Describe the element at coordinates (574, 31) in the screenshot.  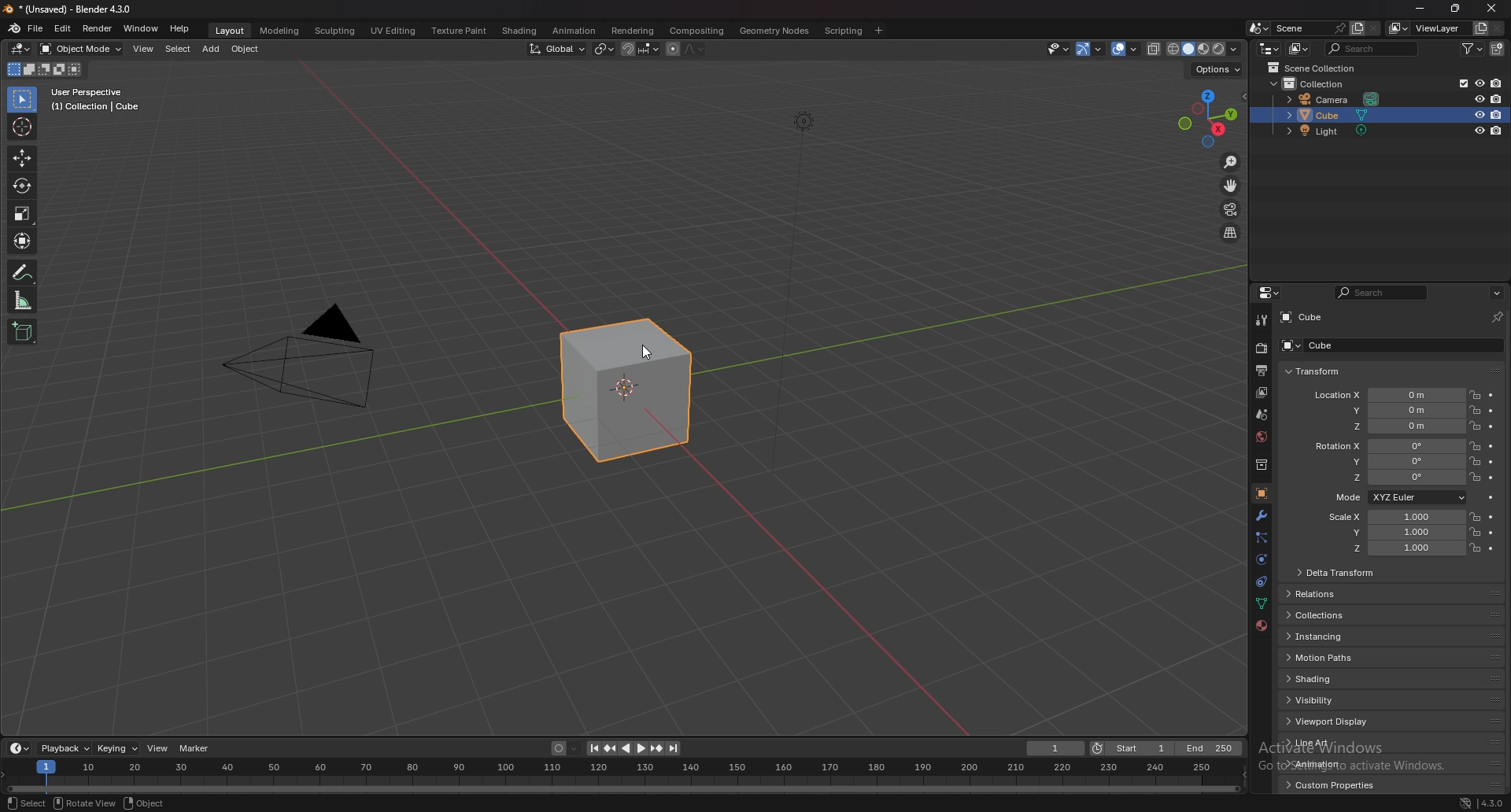
I see `animation` at that location.